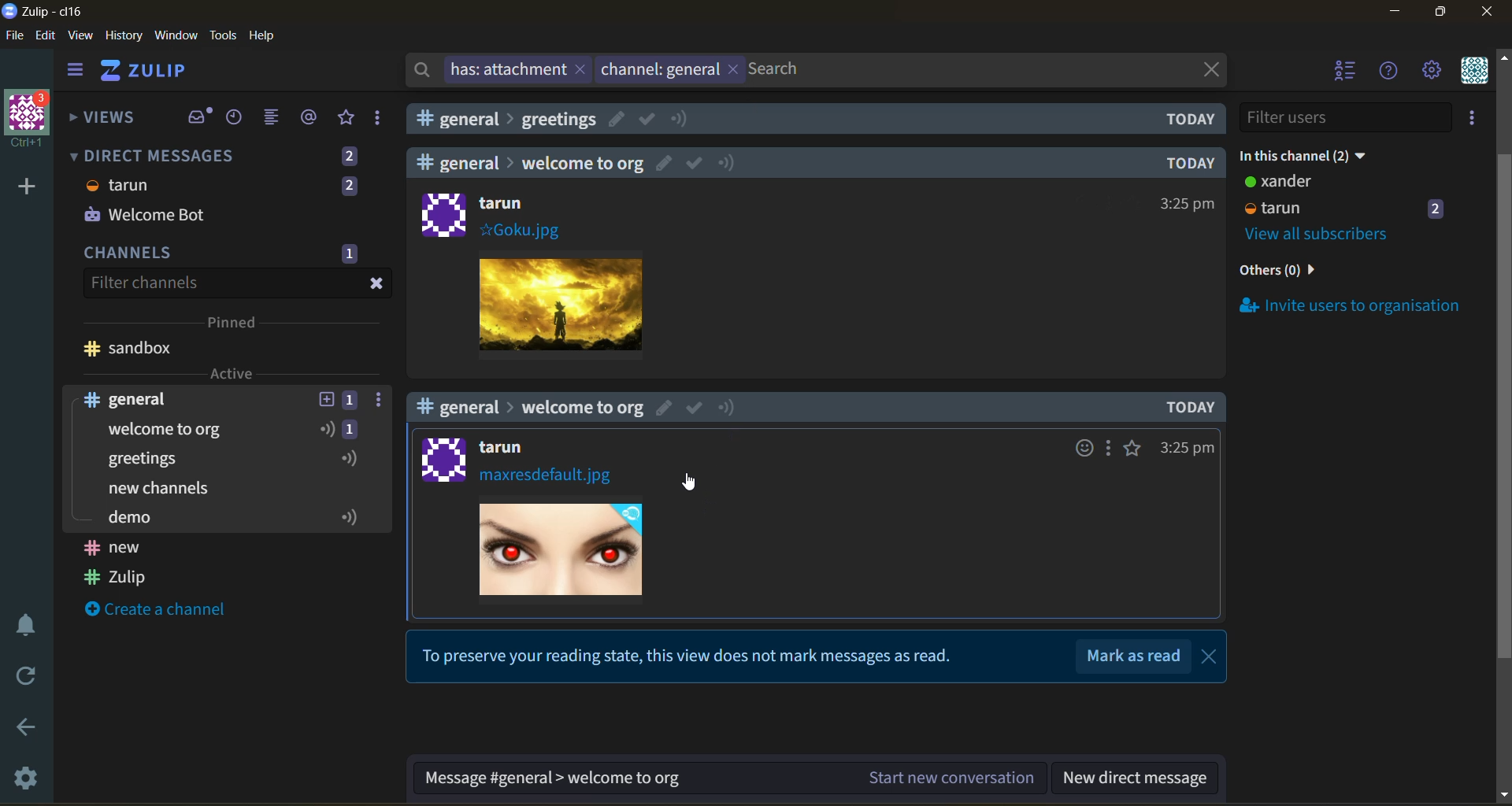  Describe the element at coordinates (46, 36) in the screenshot. I see `edit` at that location.